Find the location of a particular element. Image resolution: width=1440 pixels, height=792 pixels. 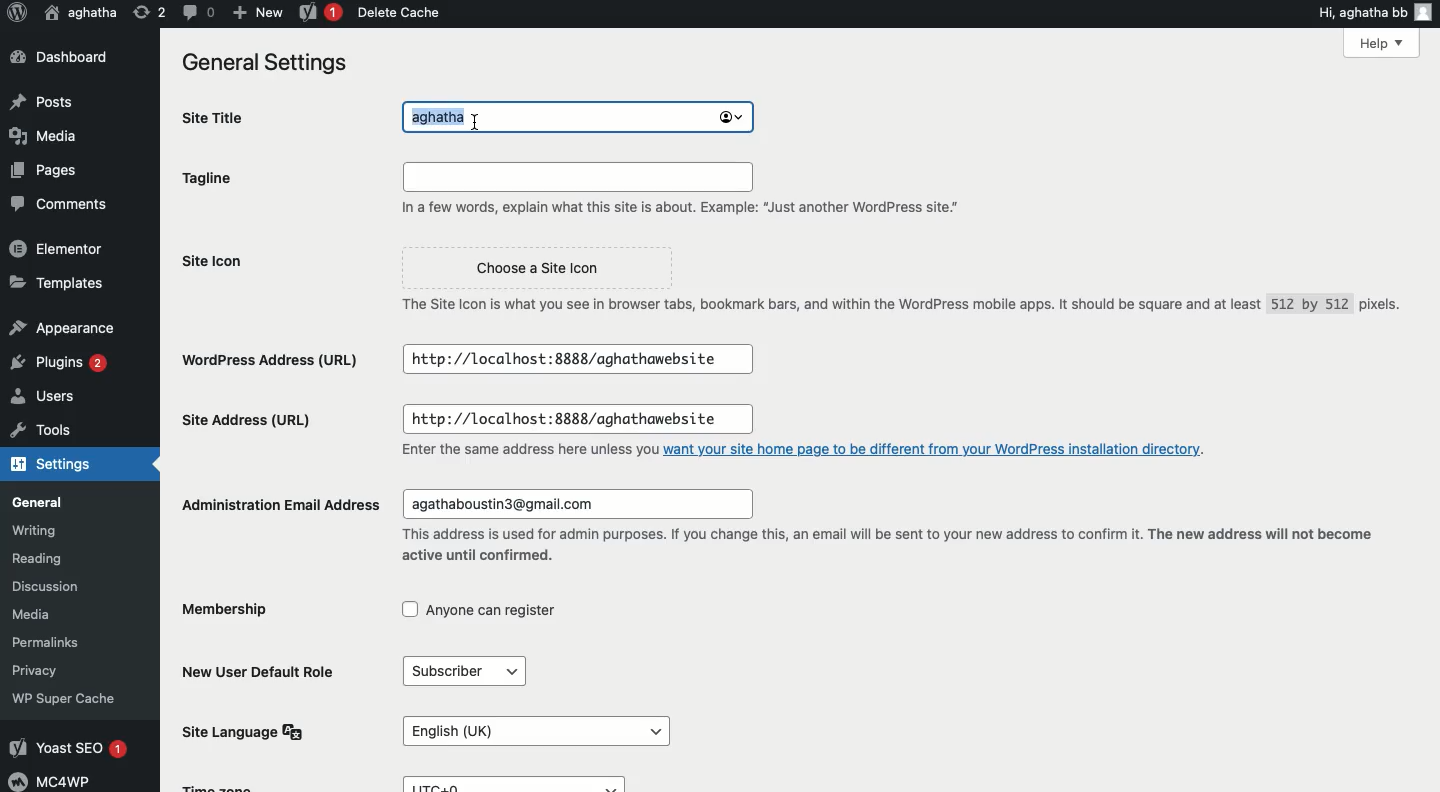

New is located at coordinates (255, 13).